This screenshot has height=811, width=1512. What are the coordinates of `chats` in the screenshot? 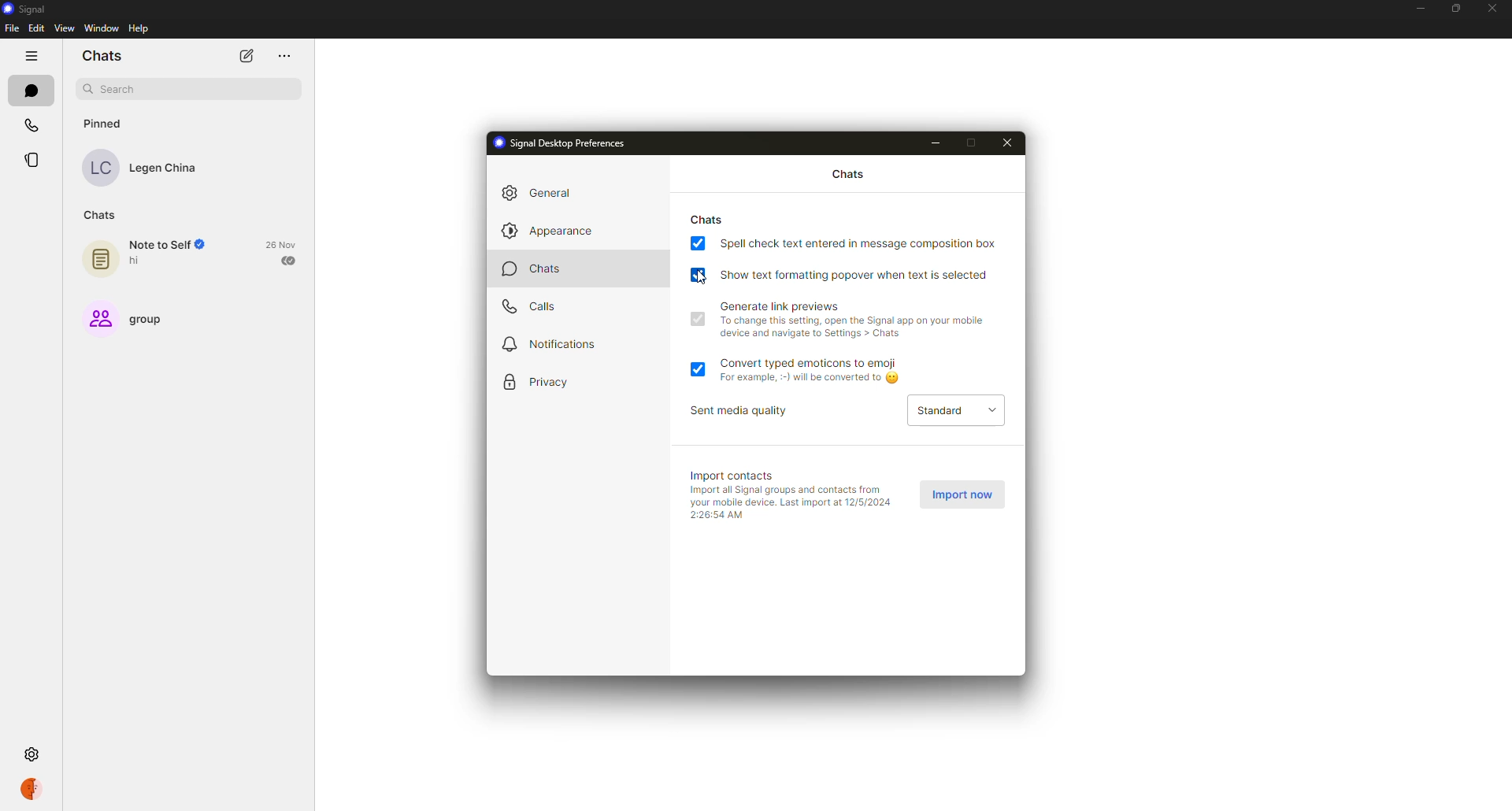 It's located at (97, 214).